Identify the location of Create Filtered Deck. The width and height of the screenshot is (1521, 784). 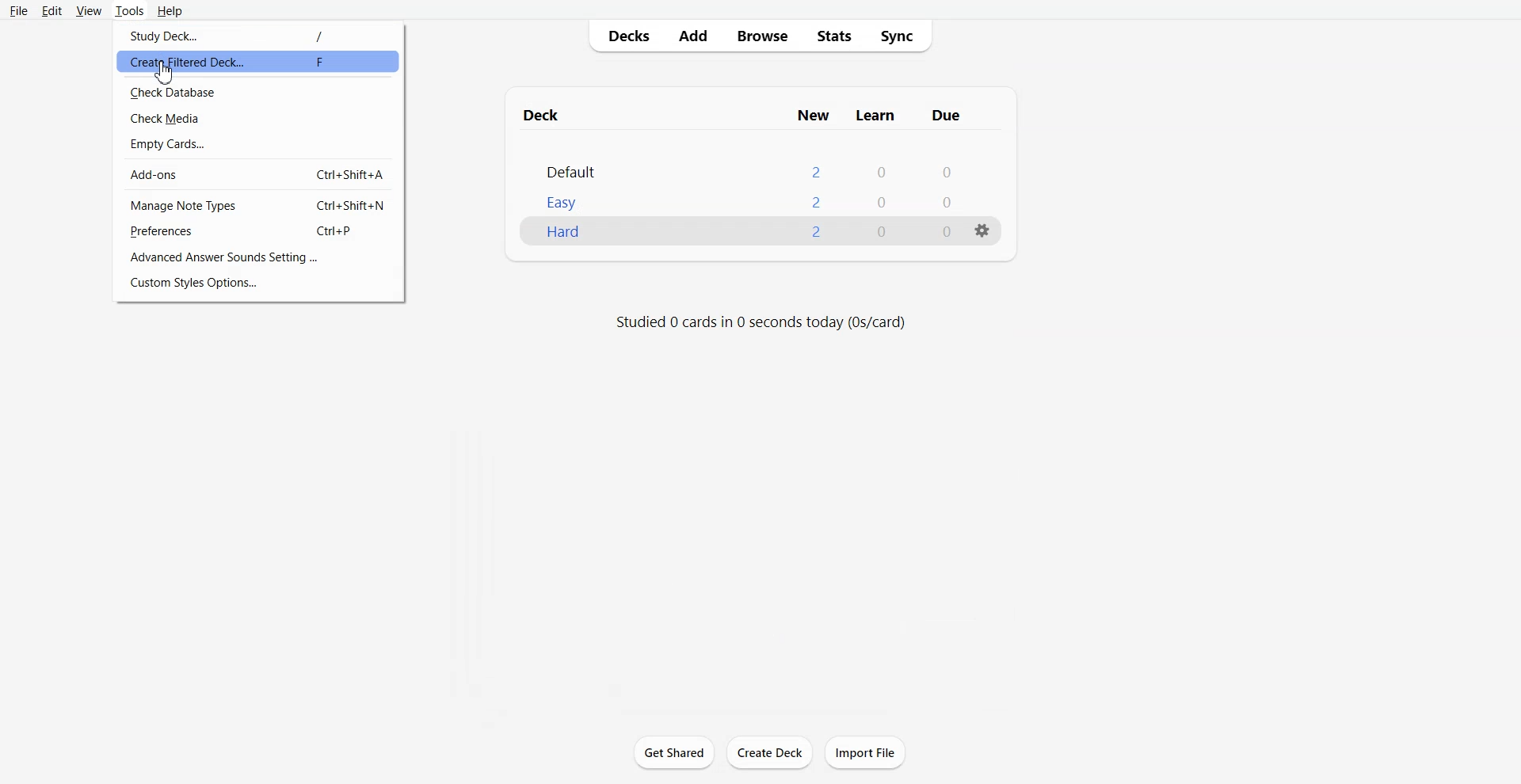
(253, 64).